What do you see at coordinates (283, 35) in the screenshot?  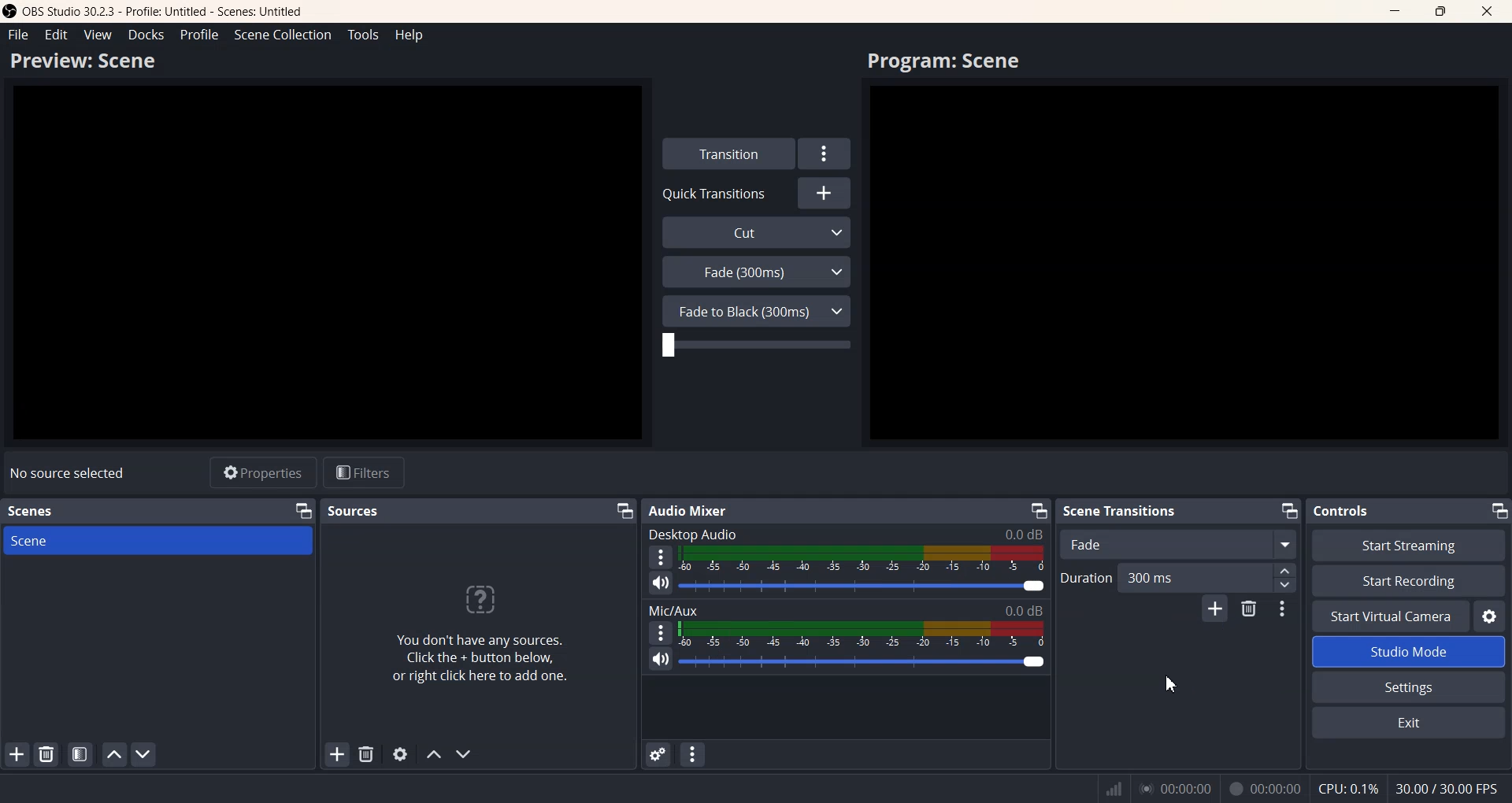 I see `Scene collection` at bounding box center [283, 35].